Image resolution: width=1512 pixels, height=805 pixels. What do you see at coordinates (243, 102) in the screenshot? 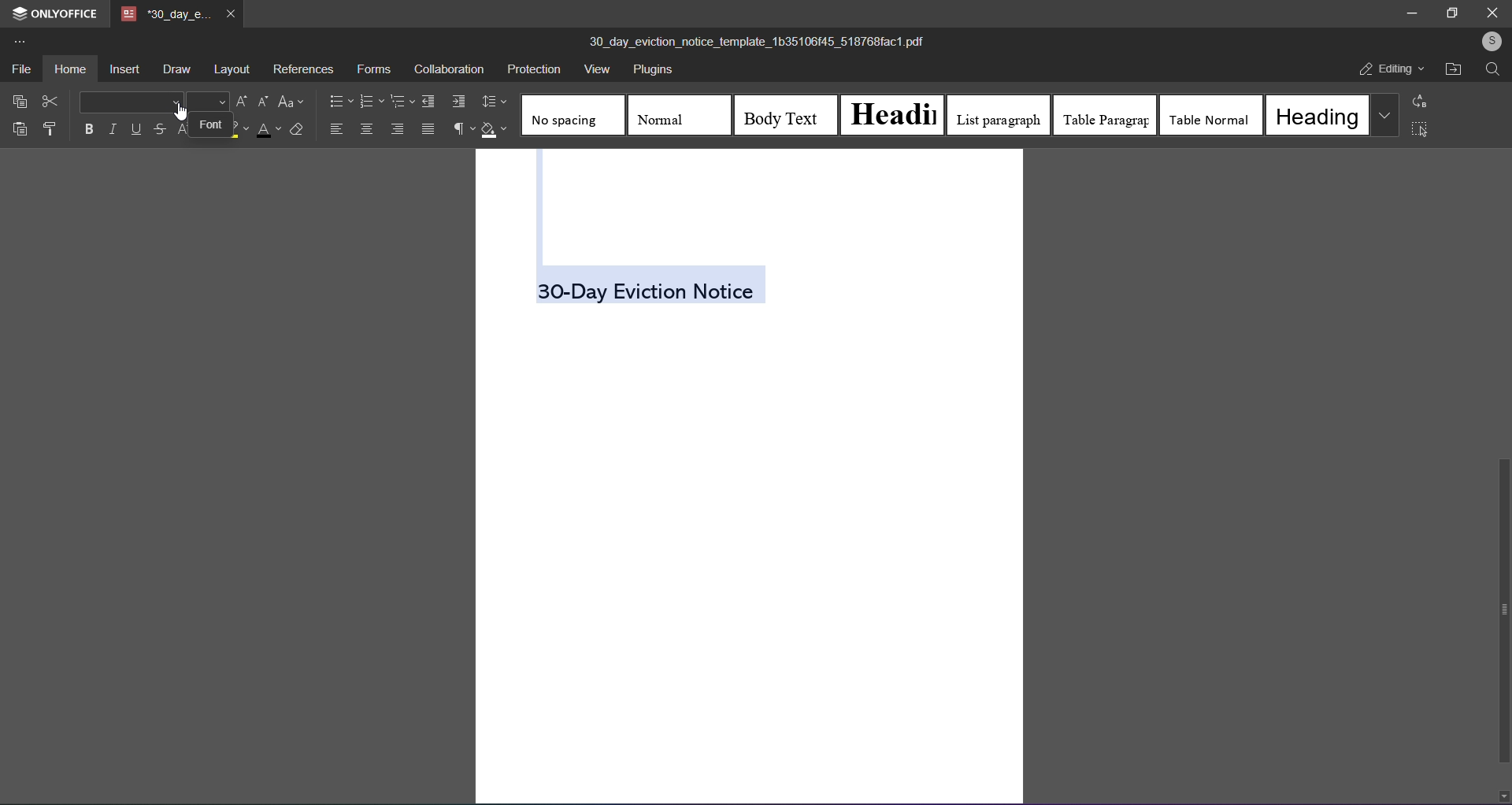
I see `increase font size` at bounding box center [243, 102].